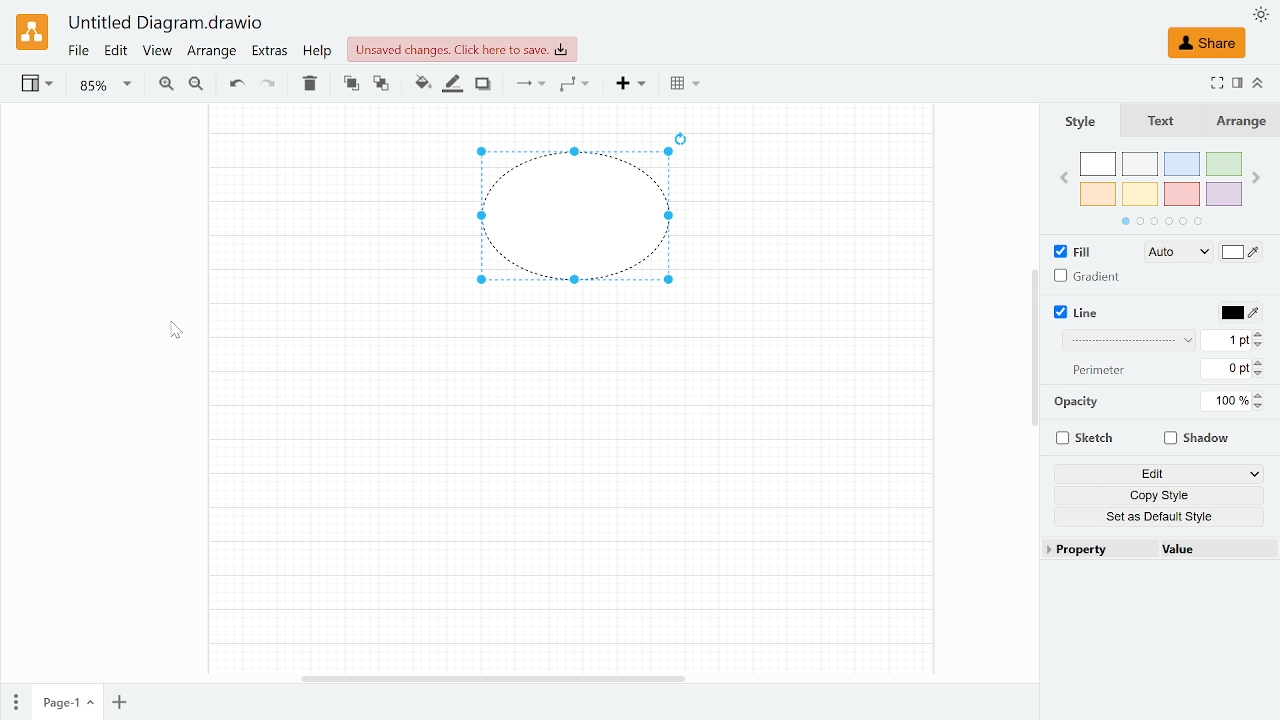 The image size is (1280, 720). What do you see at coordinates (685, 86) in the screenshot?
I see `Table` at bounding box center [685, 86].